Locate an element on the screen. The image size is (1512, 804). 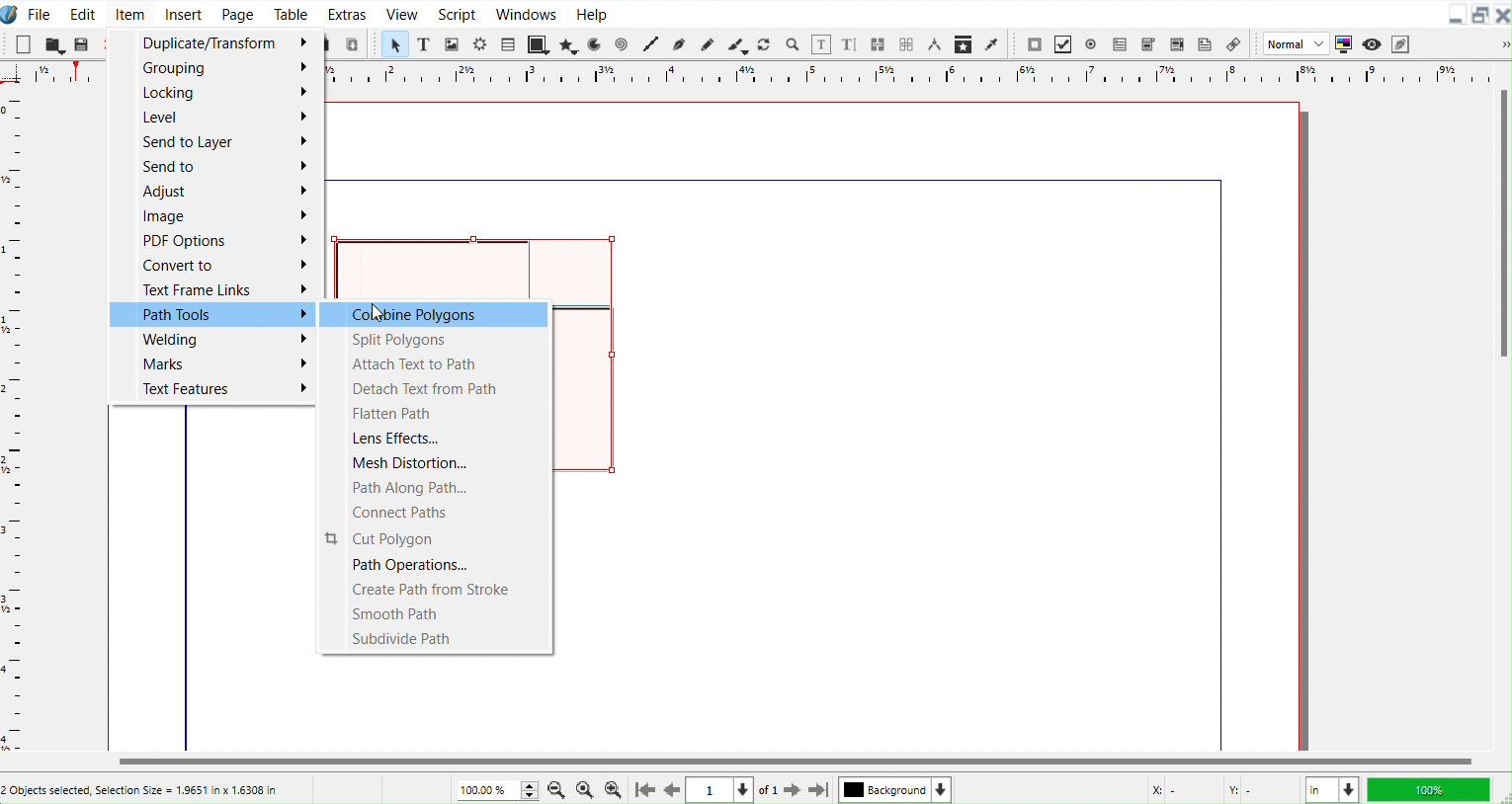
Create Path from Stroke is located at coordinates (438, 591).